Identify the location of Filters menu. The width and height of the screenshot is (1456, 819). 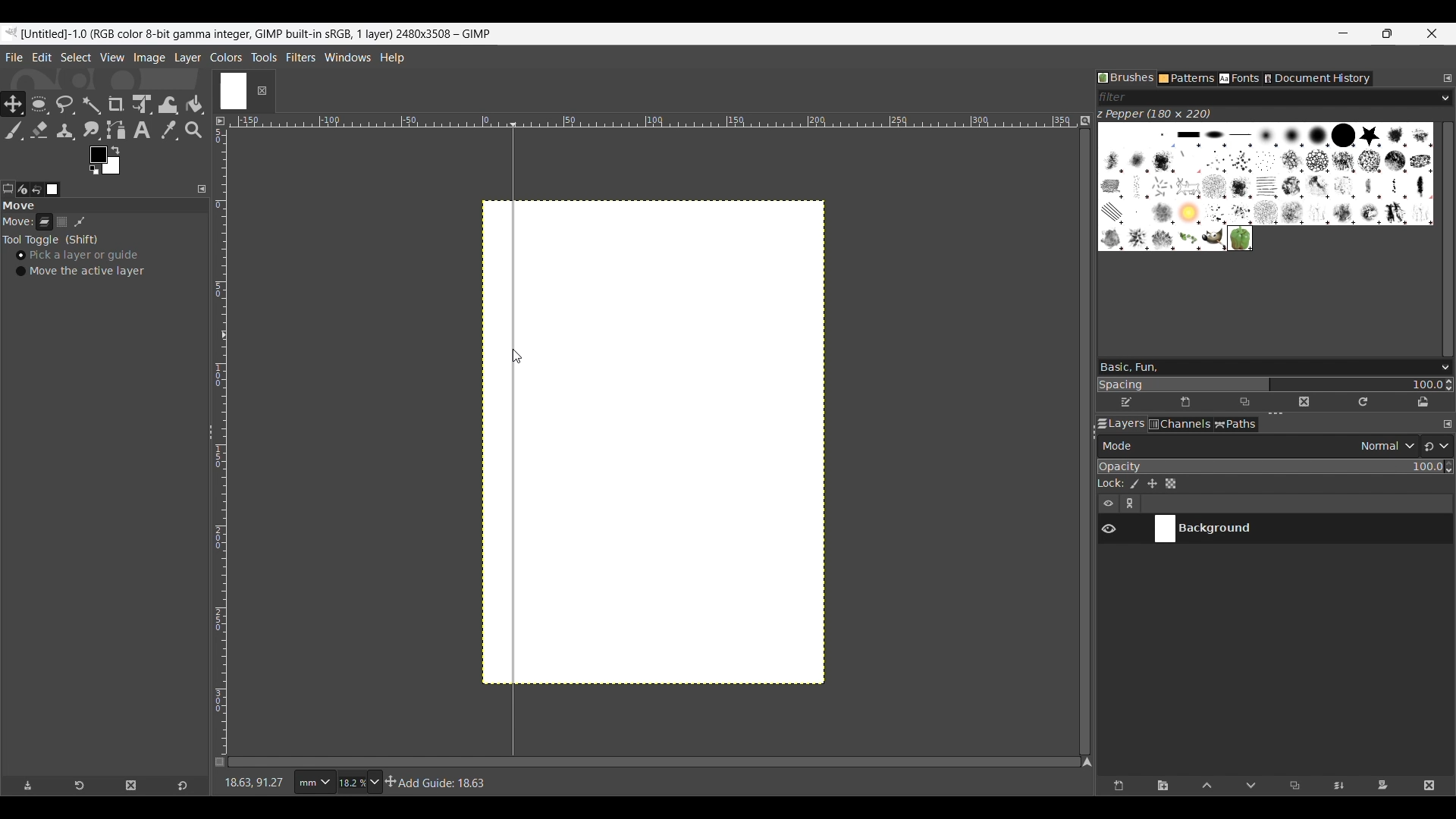
(300, 57).